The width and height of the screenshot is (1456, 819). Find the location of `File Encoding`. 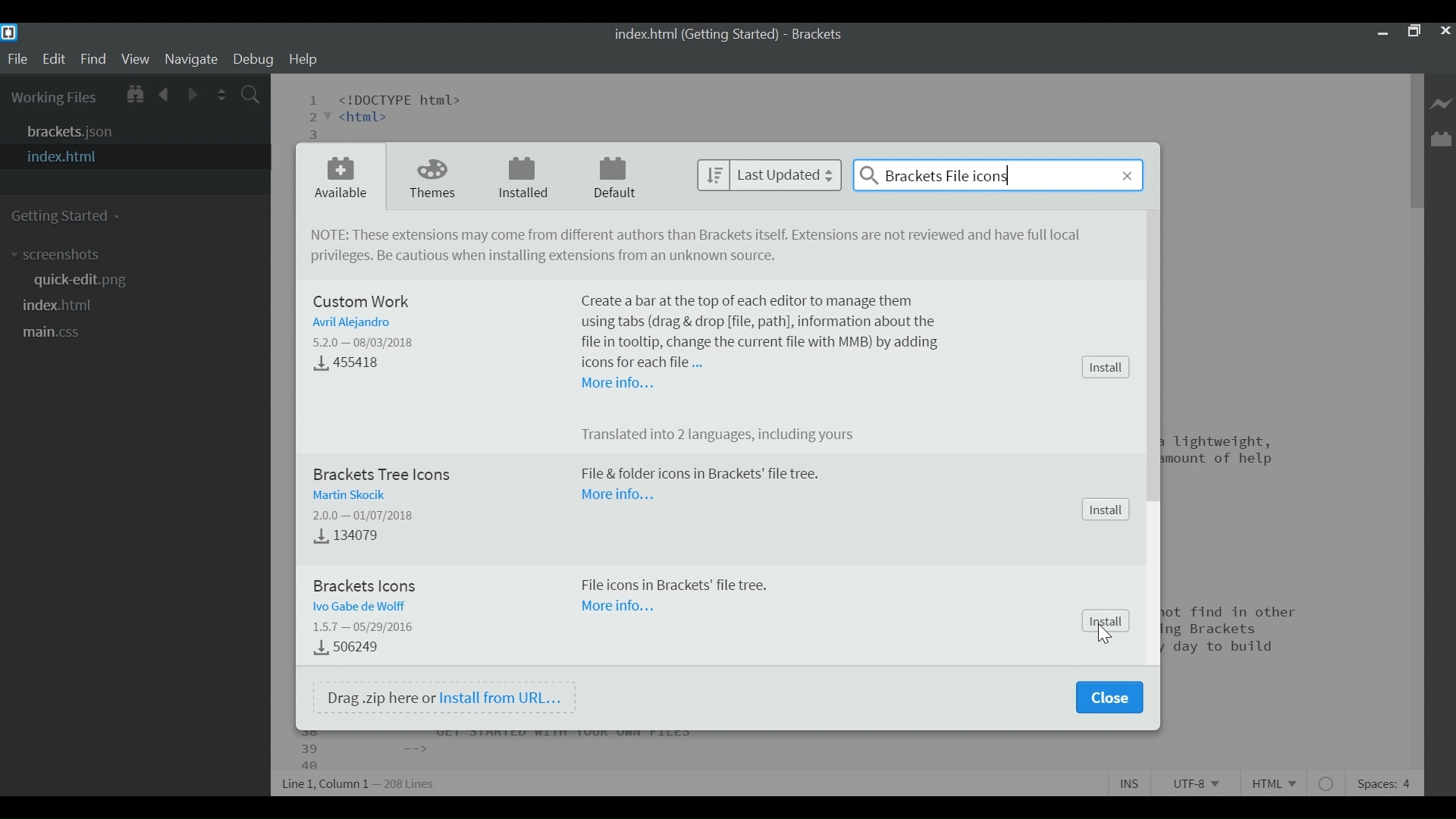

File Encoding is located at coordinates (1193, 783).